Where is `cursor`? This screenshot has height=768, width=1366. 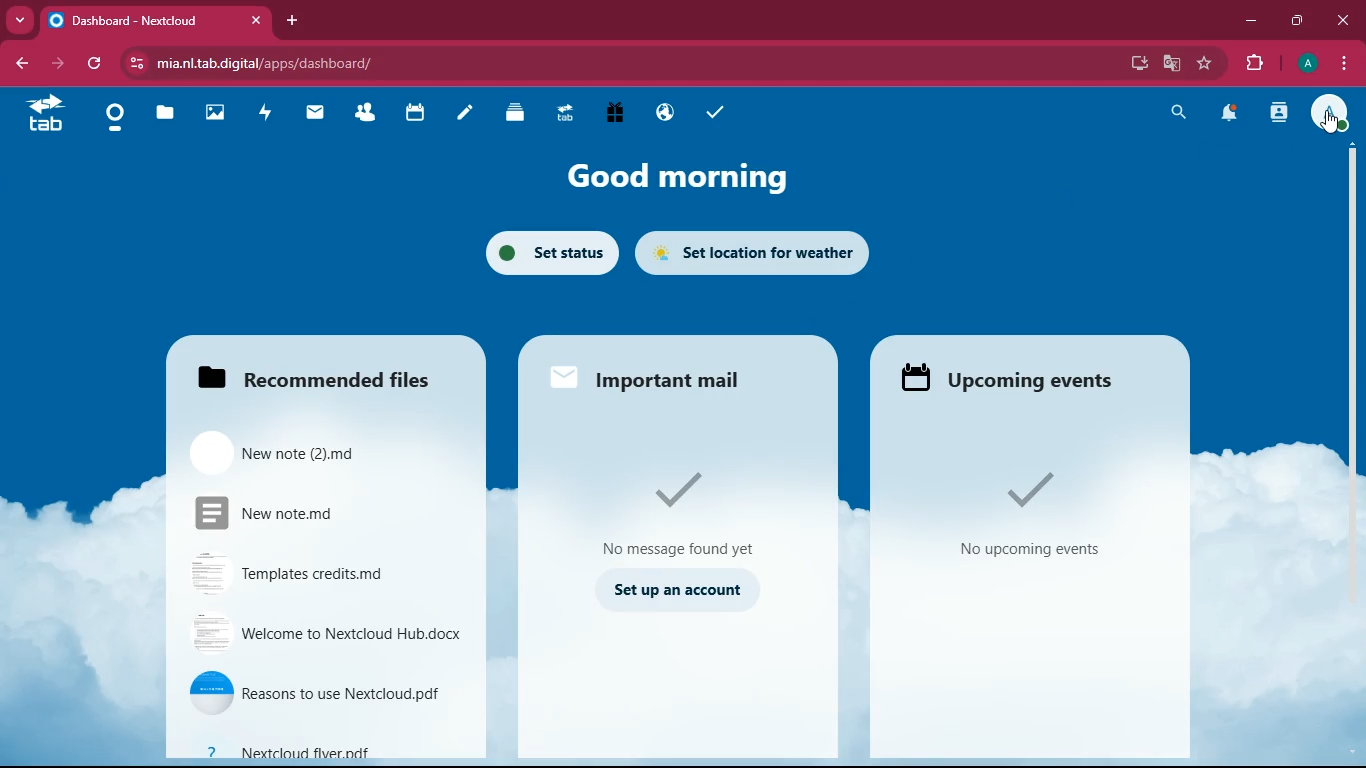 cursor is located at coordinates (1331, 122).